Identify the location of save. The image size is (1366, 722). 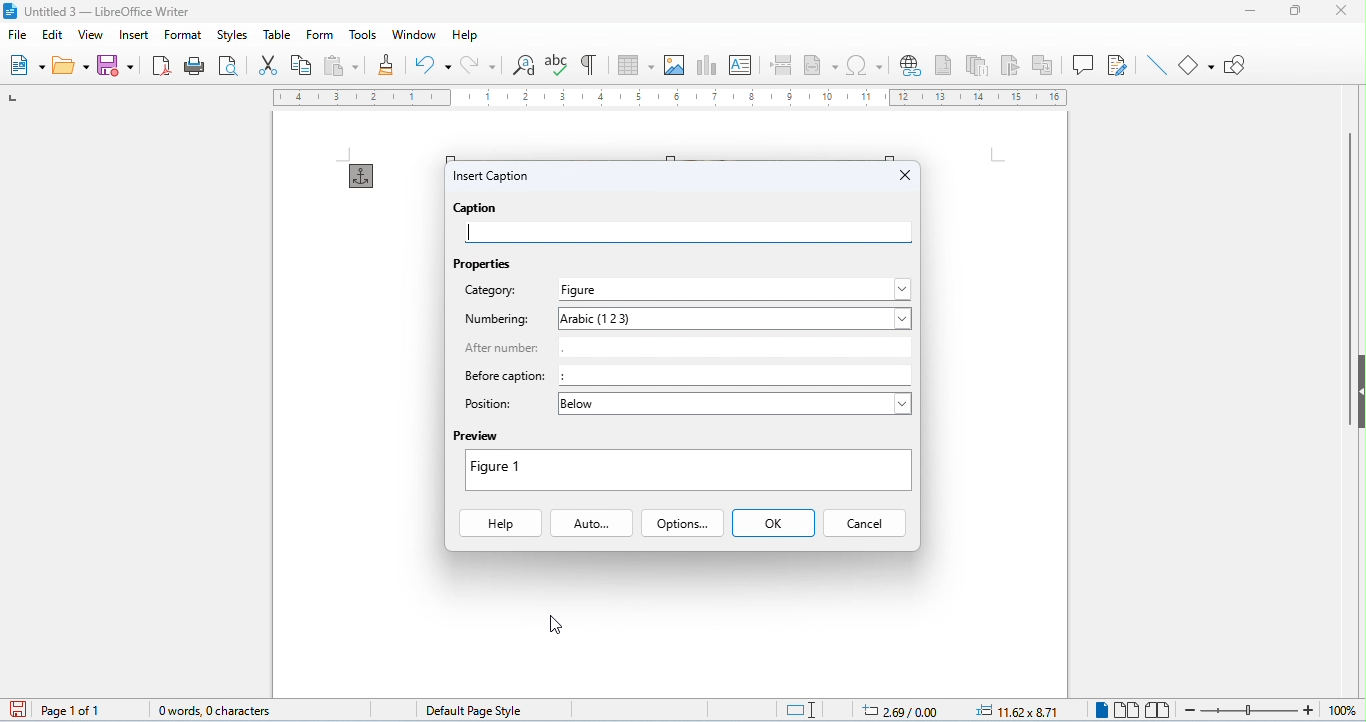
(15, 709).